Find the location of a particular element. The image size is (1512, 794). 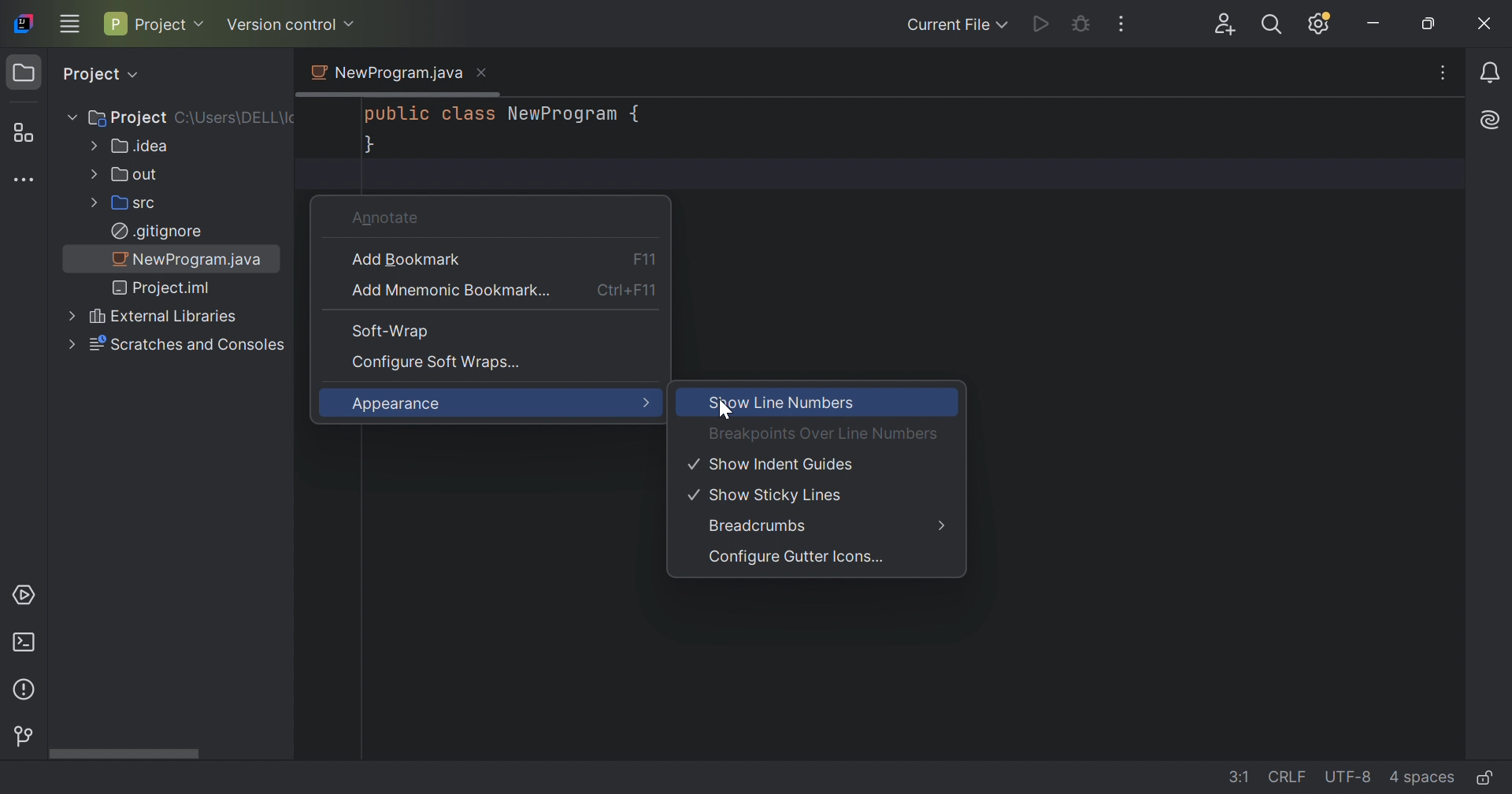

Run NewProgram.java is located at coordinates (1041, 25).